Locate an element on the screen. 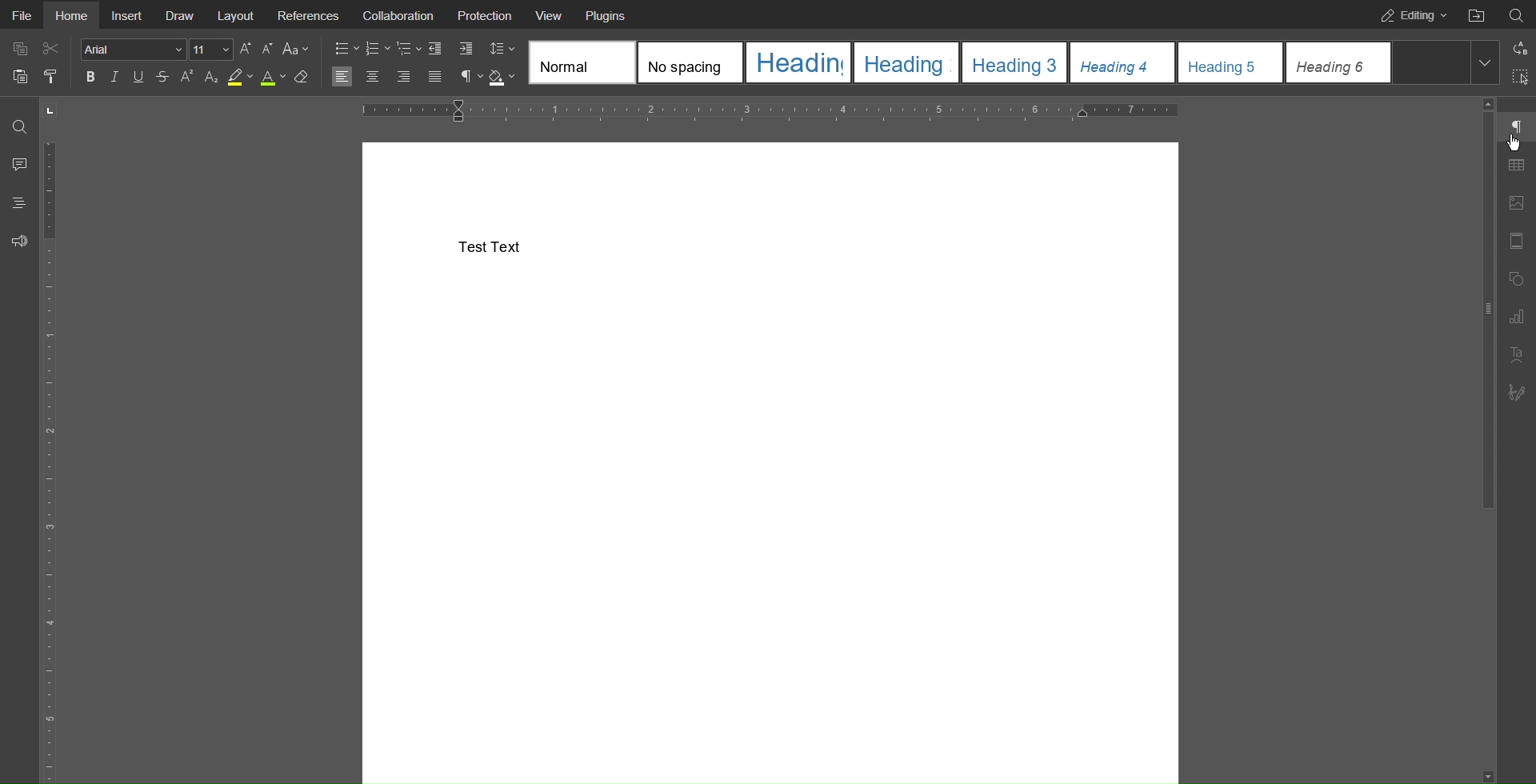  Cut Copy Paste Options is located at coordinates (35, 66).